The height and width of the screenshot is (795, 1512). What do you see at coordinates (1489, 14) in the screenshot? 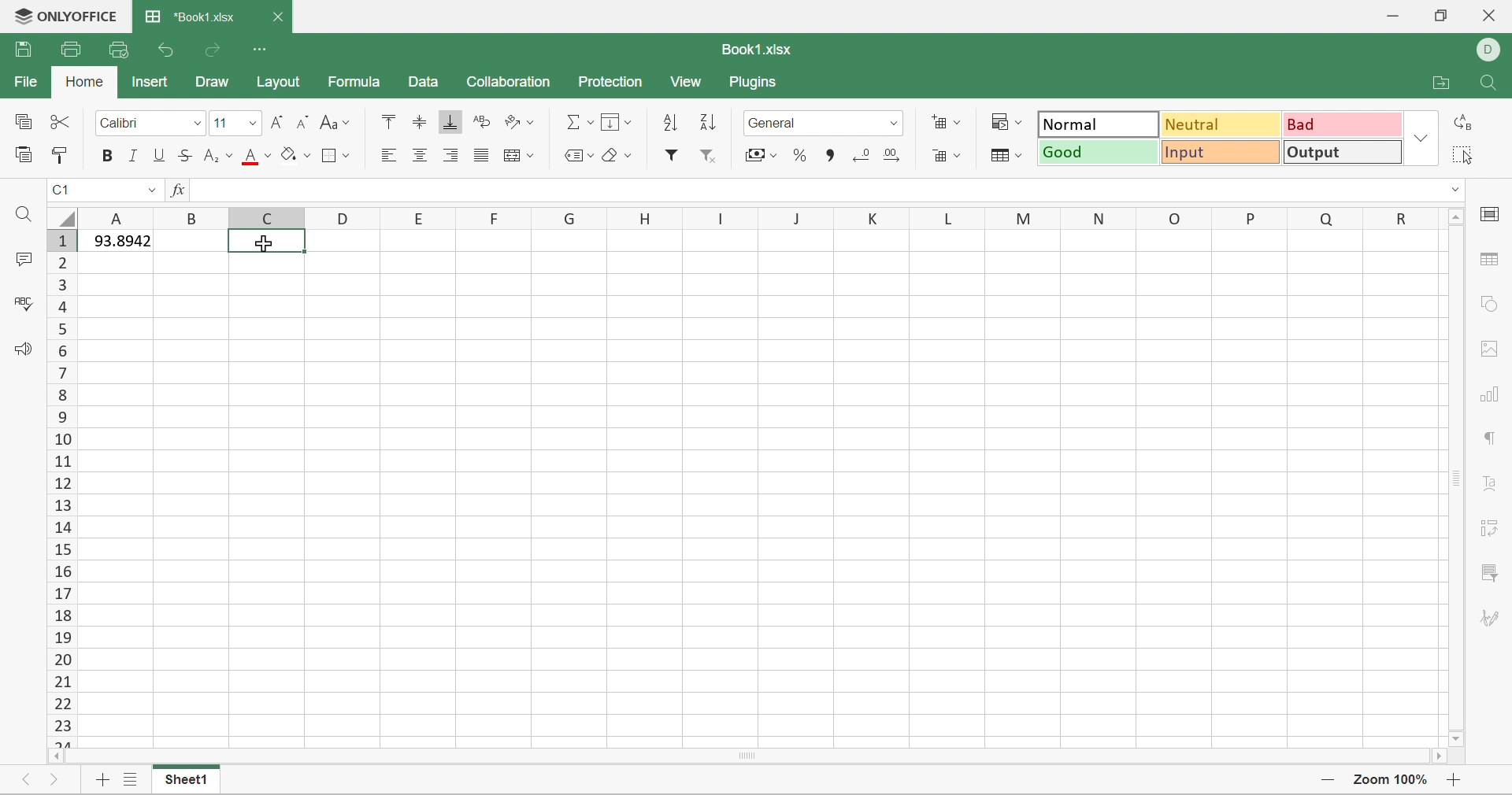
I see `Close` at bounding box center [1489, 14].